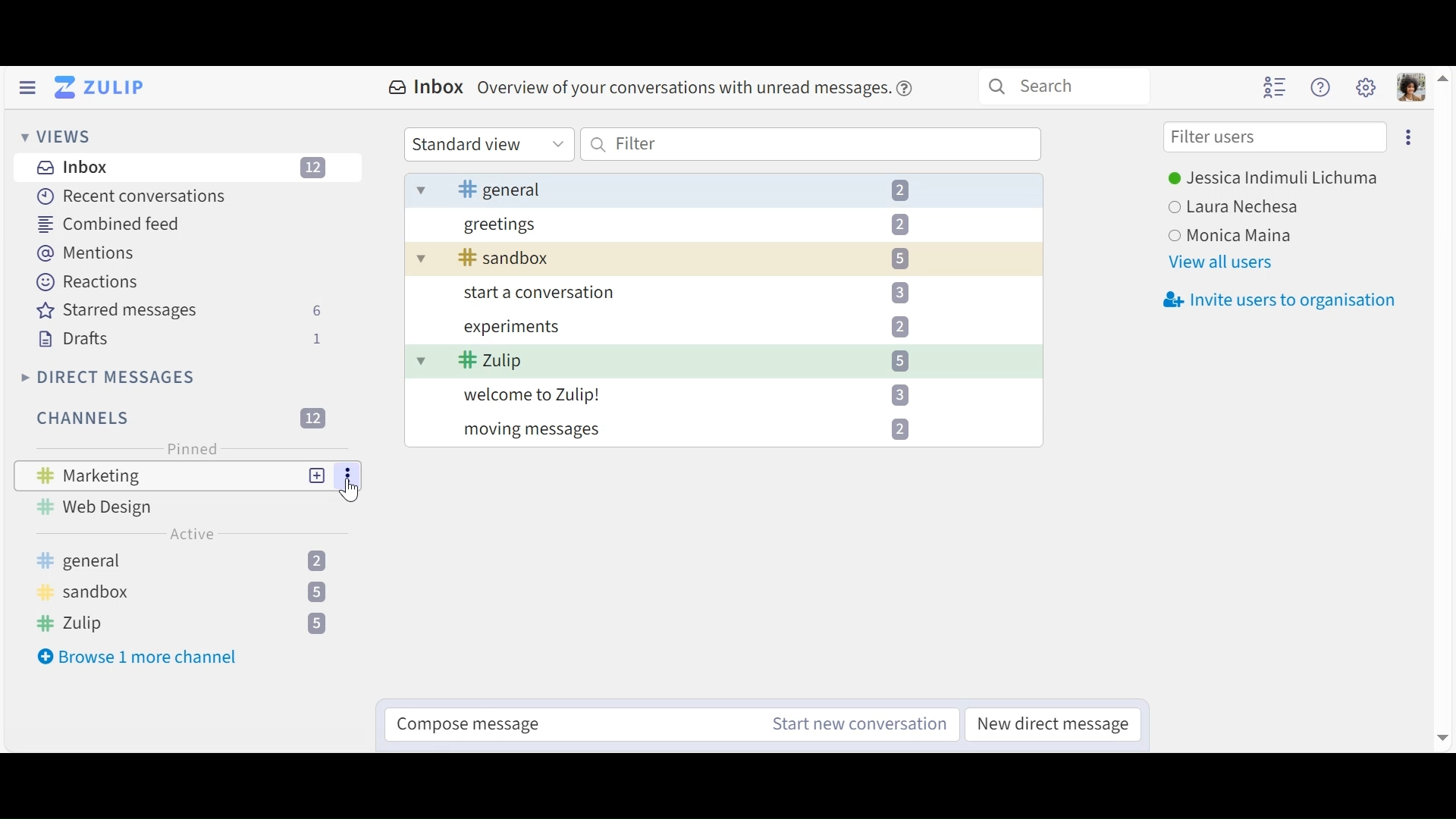  Describe the element at coordinates (105, 224) in the screenshot. I see `Combined feed` at that location.